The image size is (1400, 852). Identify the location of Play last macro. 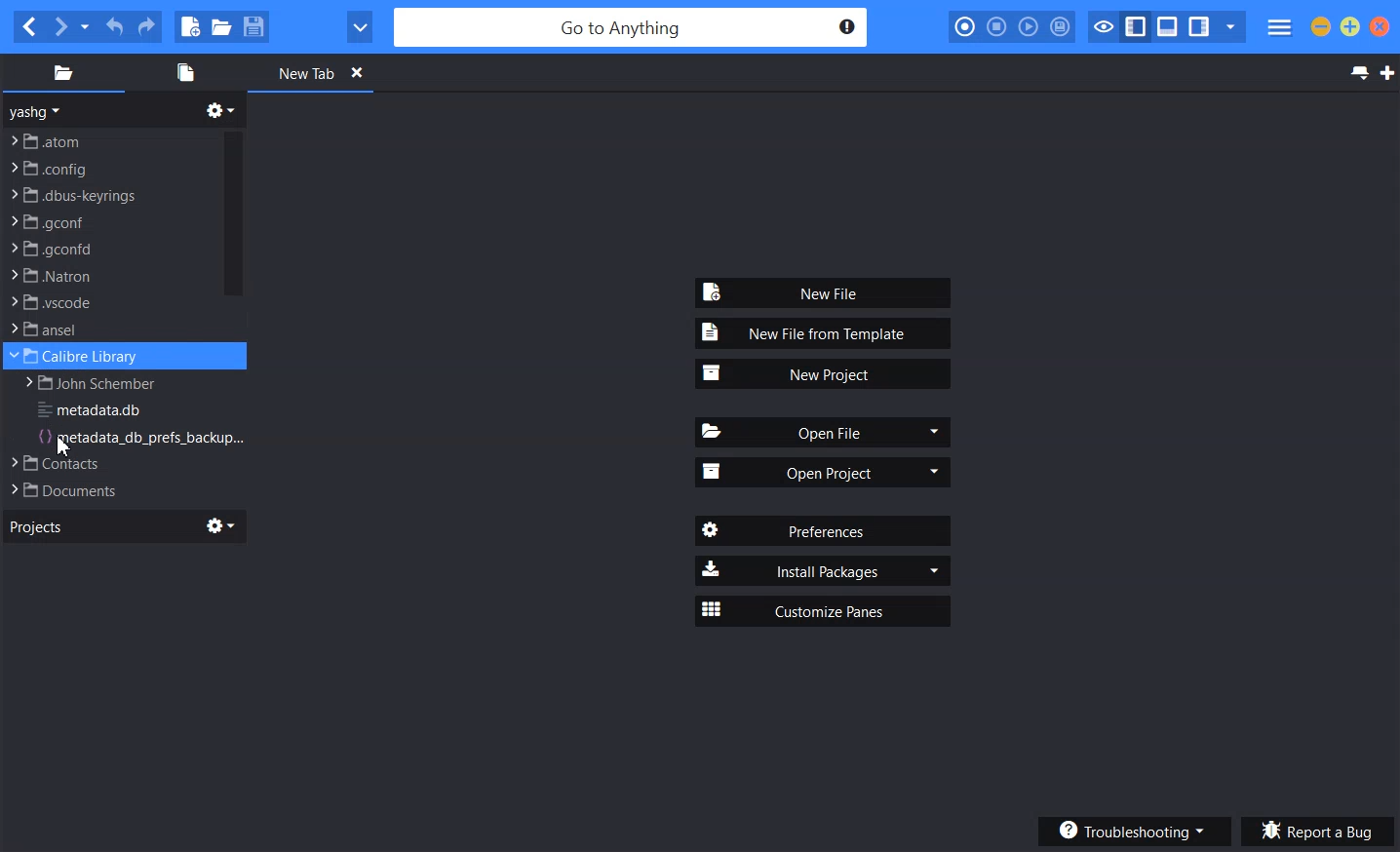
(1028, 27).